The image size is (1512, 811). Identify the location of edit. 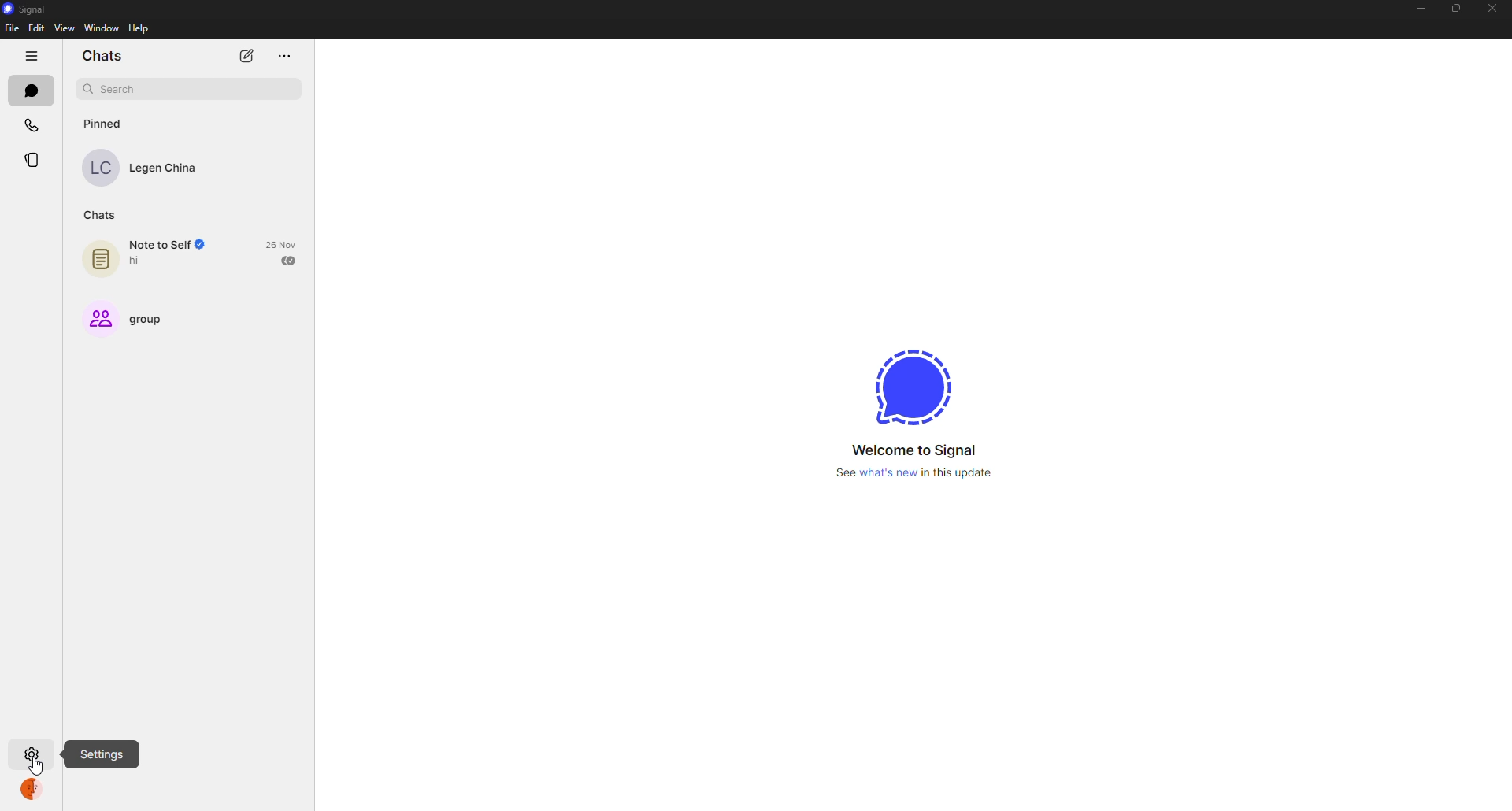
(36, 28).